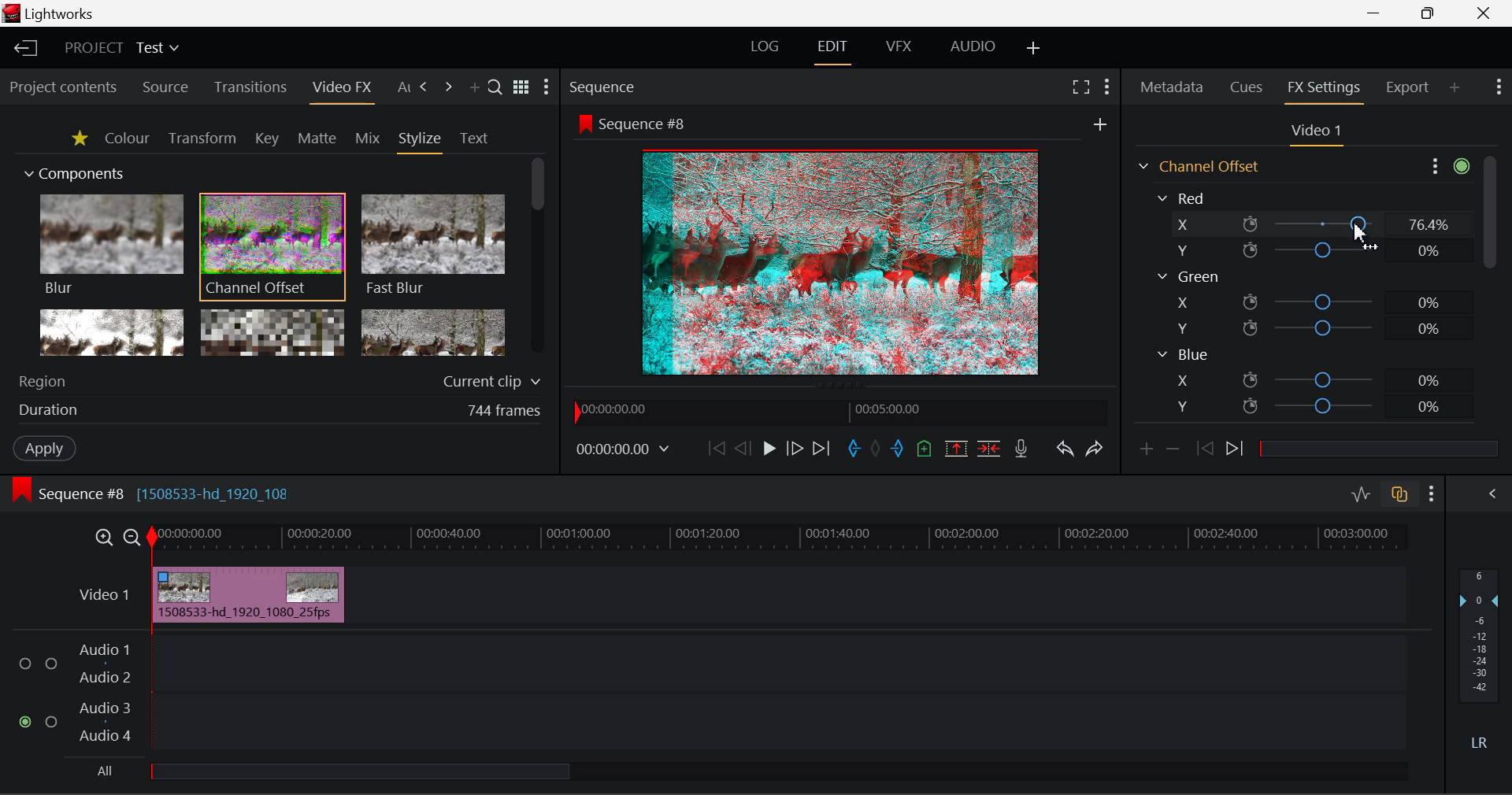 The width and height of the screenshot is (1512, 795). What do you see at coordinates (110, 246) in the screenshot?
I see `Blur` at bounding box center [110, 246].